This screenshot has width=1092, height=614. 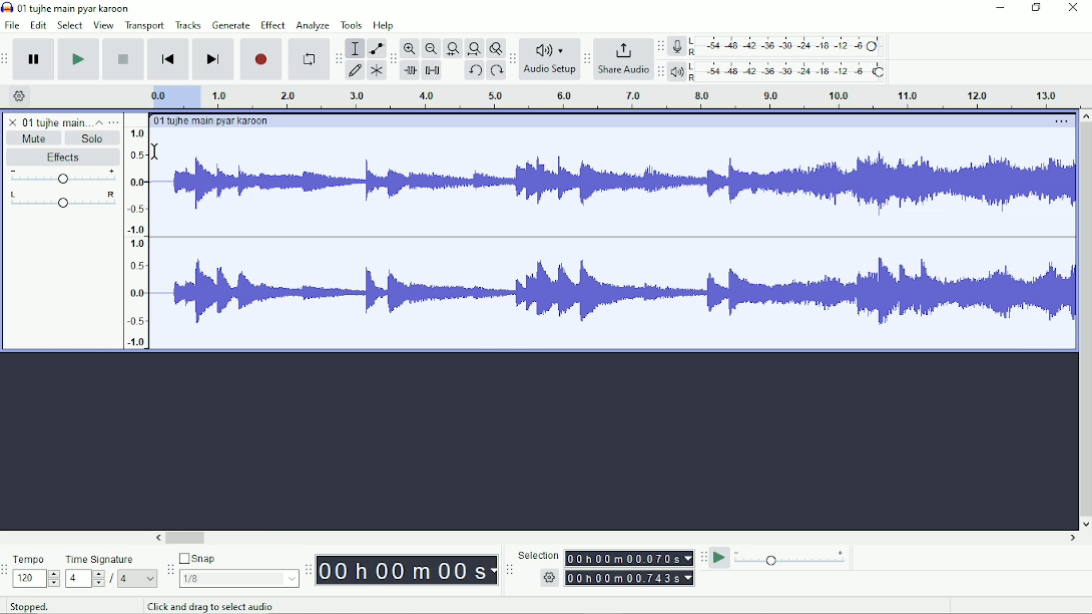 I want to click on Vertical scrollbar, so click(x=1084, y=320).